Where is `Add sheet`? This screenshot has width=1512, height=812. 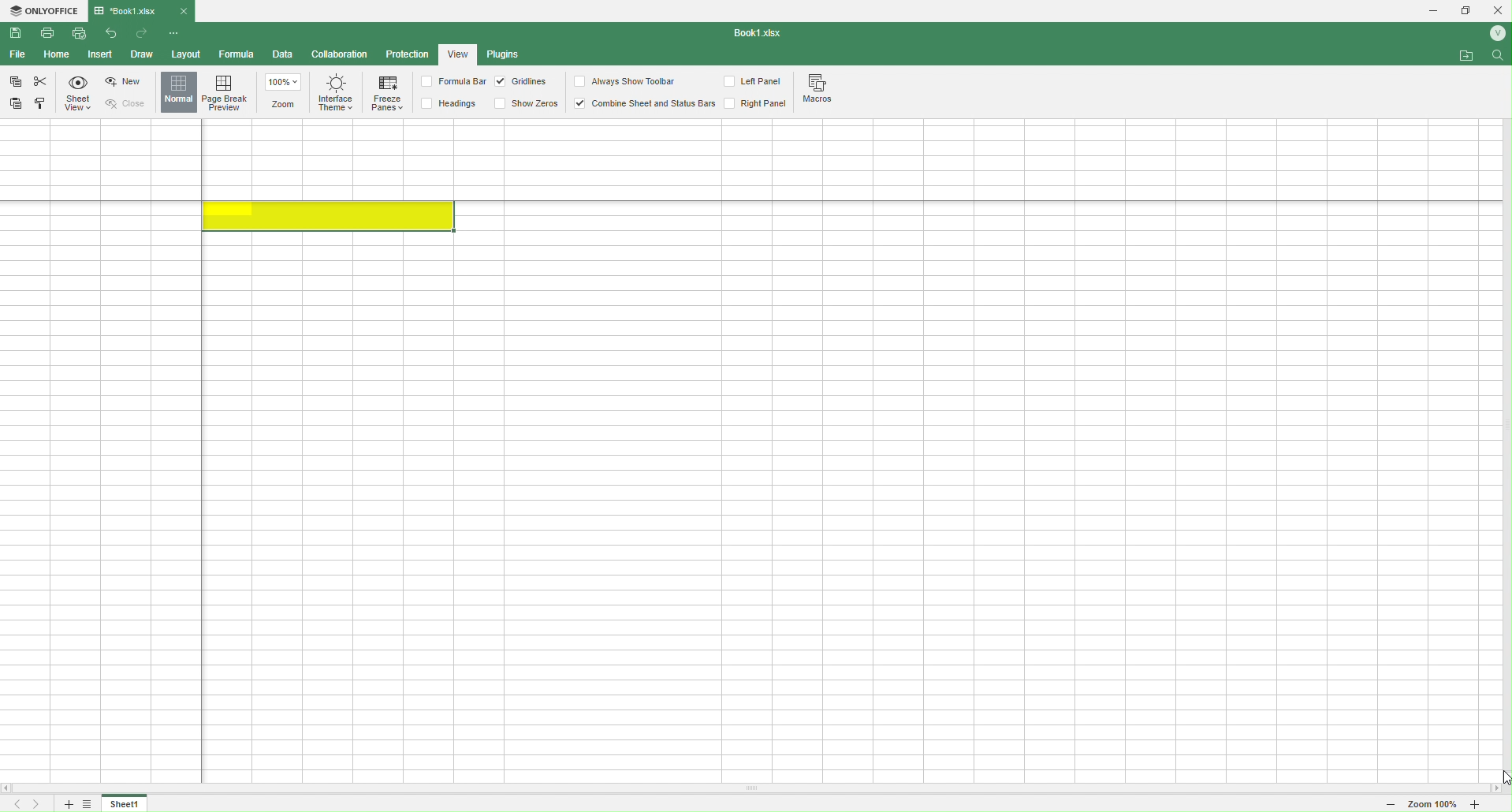 Add sheet is located at coordinates (66, 804).